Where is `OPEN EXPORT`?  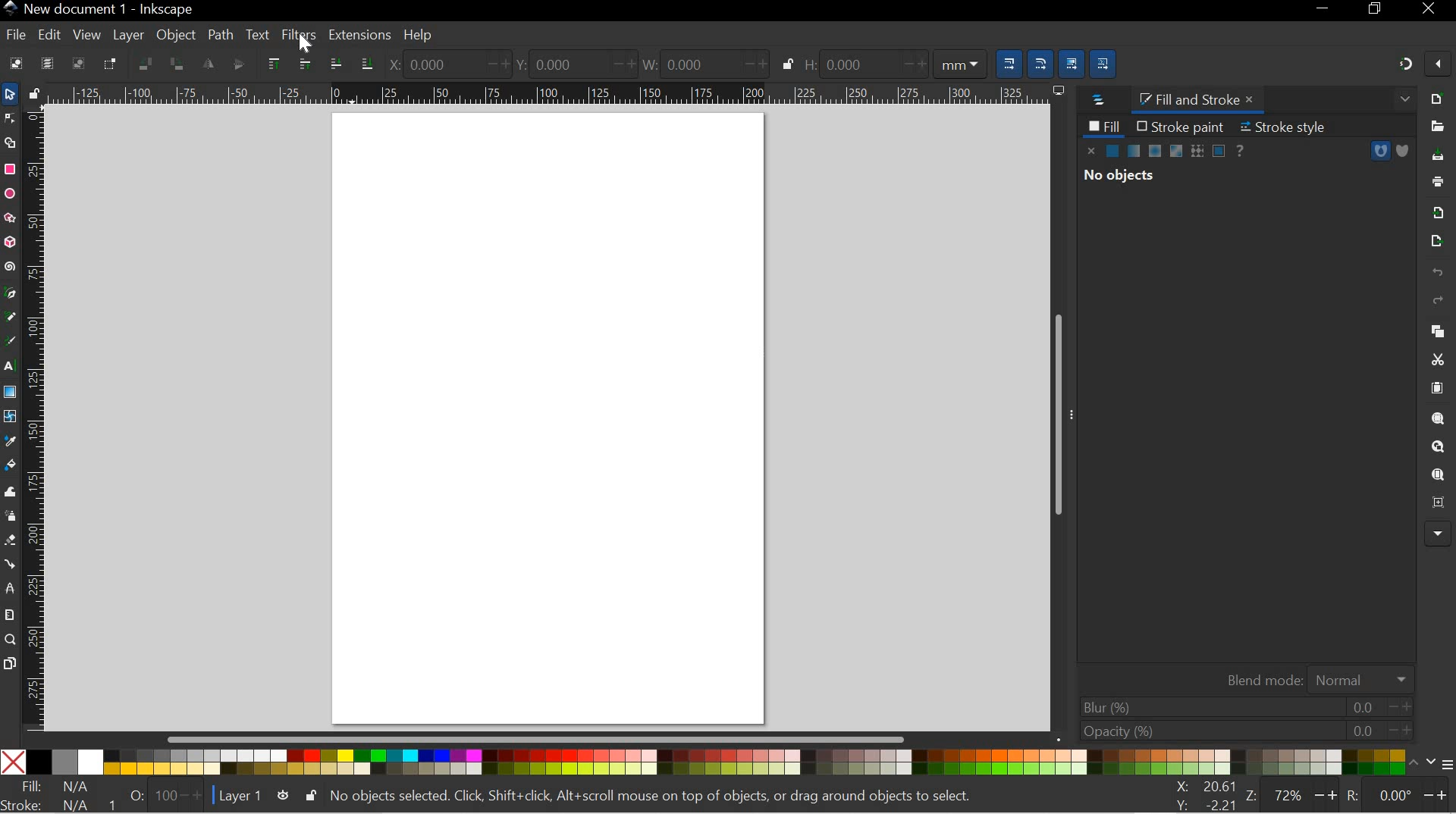
OPEN EXPORT is located at coordinates (1434, 242).